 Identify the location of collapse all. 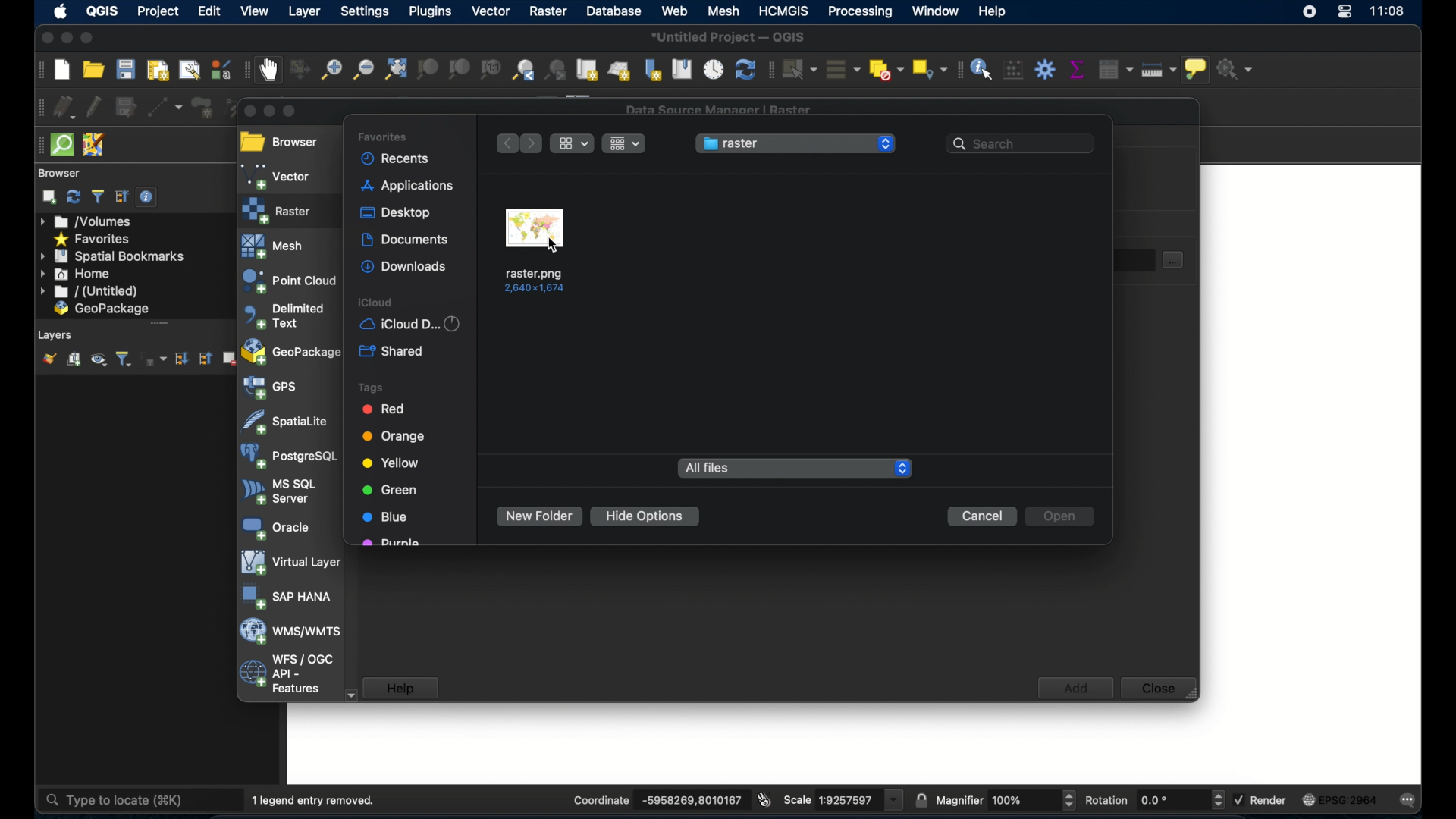
(120, 196).